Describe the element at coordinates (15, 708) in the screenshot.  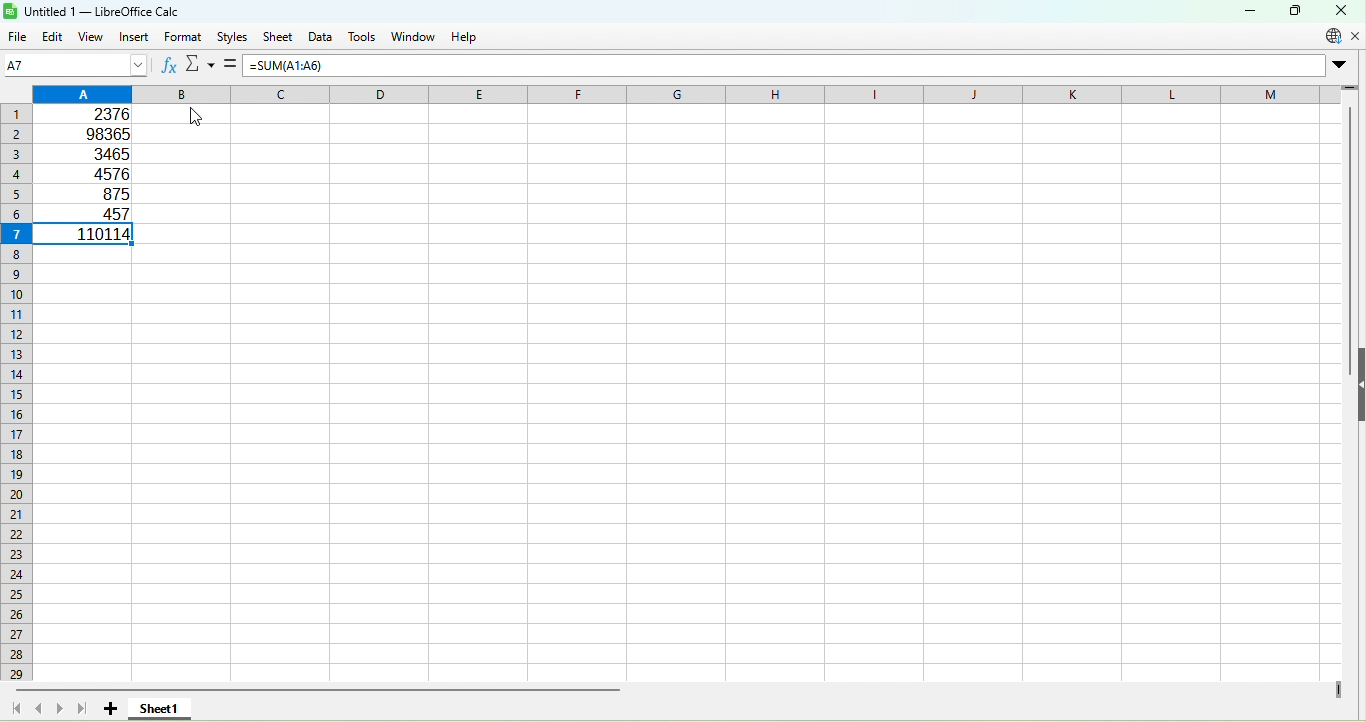
I see `Scroll to first sheet` at that location.